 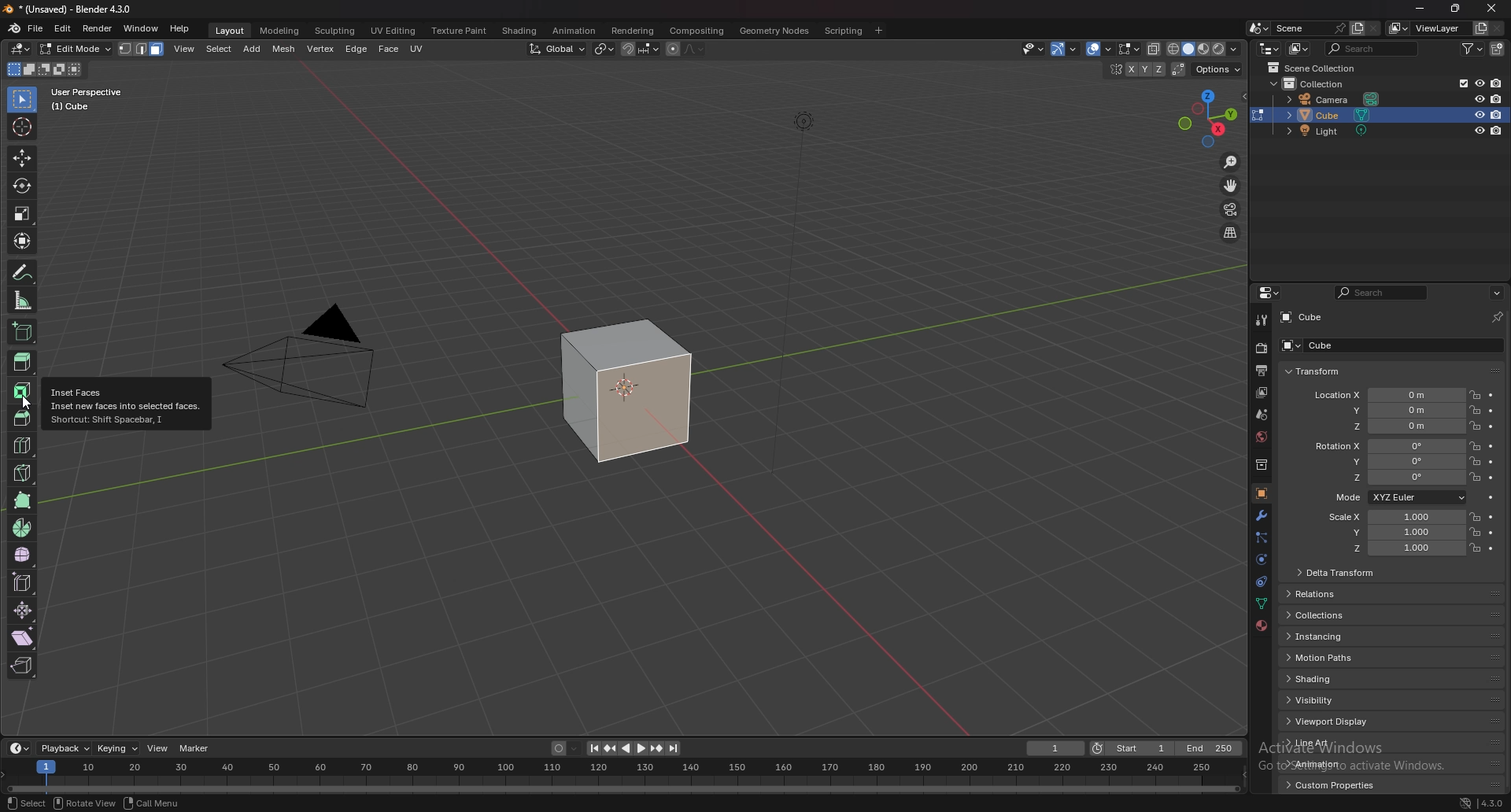 What do you see at coordinates (521, 30) in the screenshot?
I see `shading` at bounding box center [521, 30].